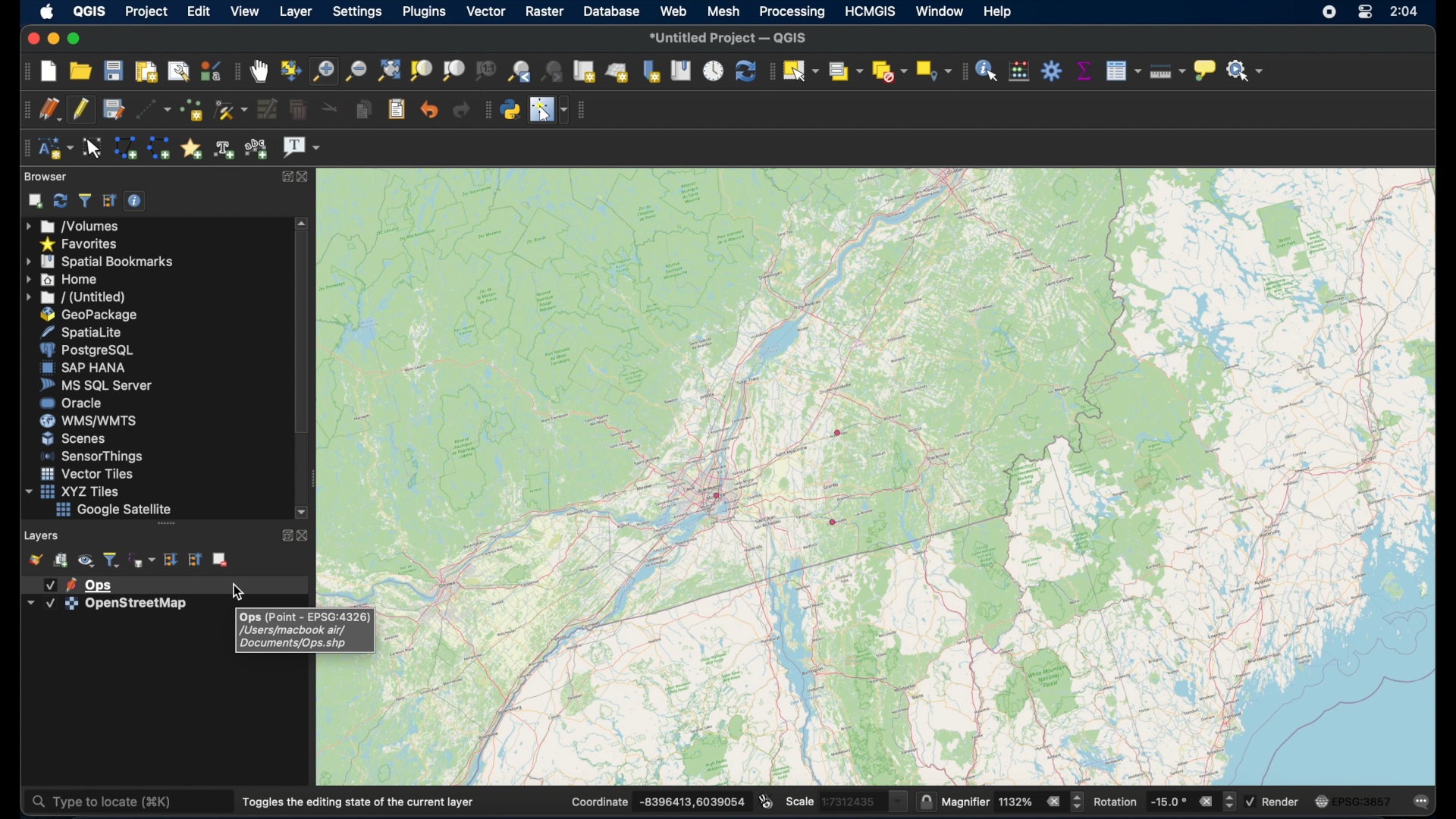  I want to click on vertex tool, so click(231, 109).